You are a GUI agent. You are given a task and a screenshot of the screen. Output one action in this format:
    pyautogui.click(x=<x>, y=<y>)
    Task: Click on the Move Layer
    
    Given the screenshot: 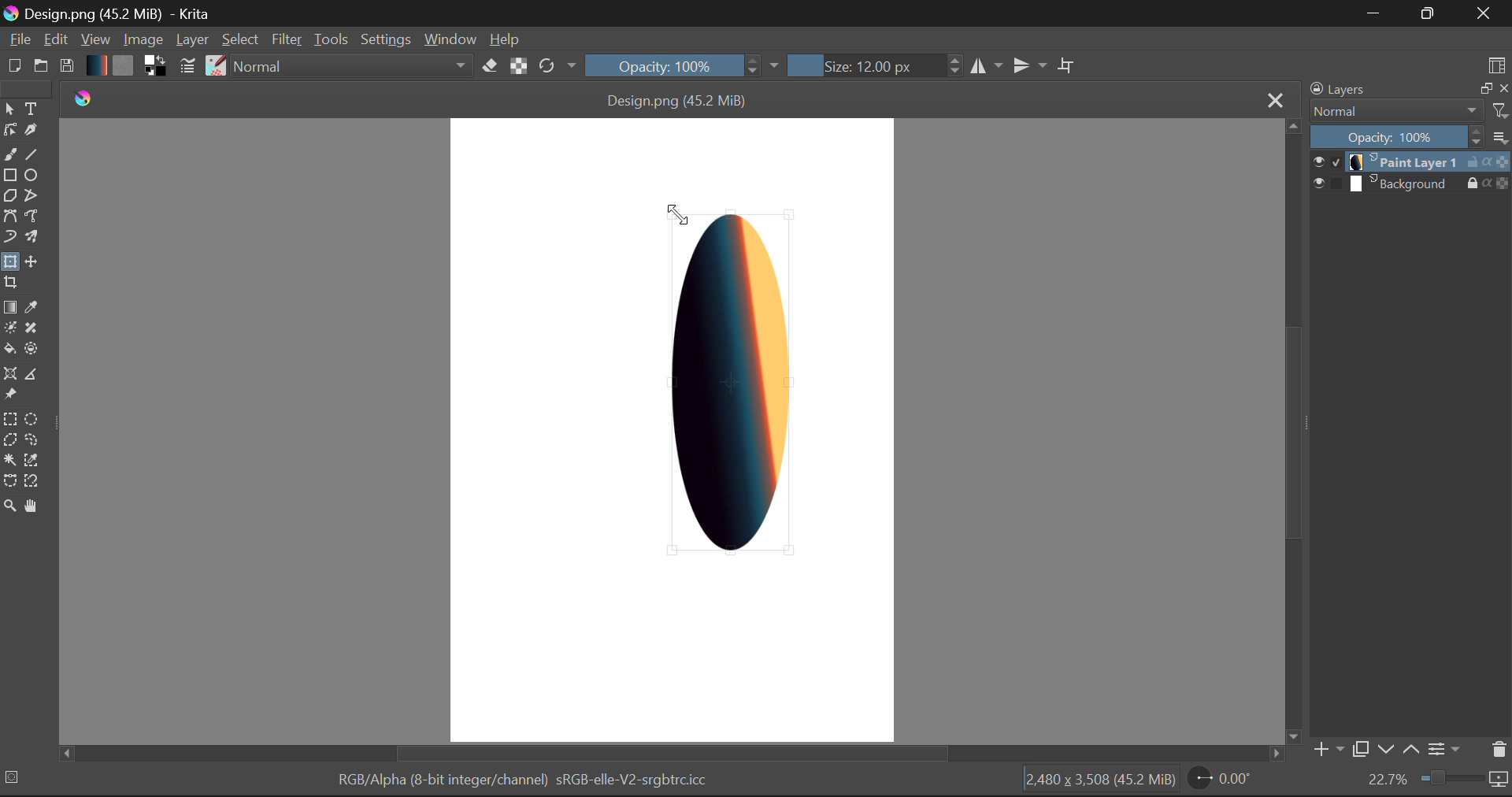 What is the action you would take?
    pyautogui.click(x=30, y=261)
    